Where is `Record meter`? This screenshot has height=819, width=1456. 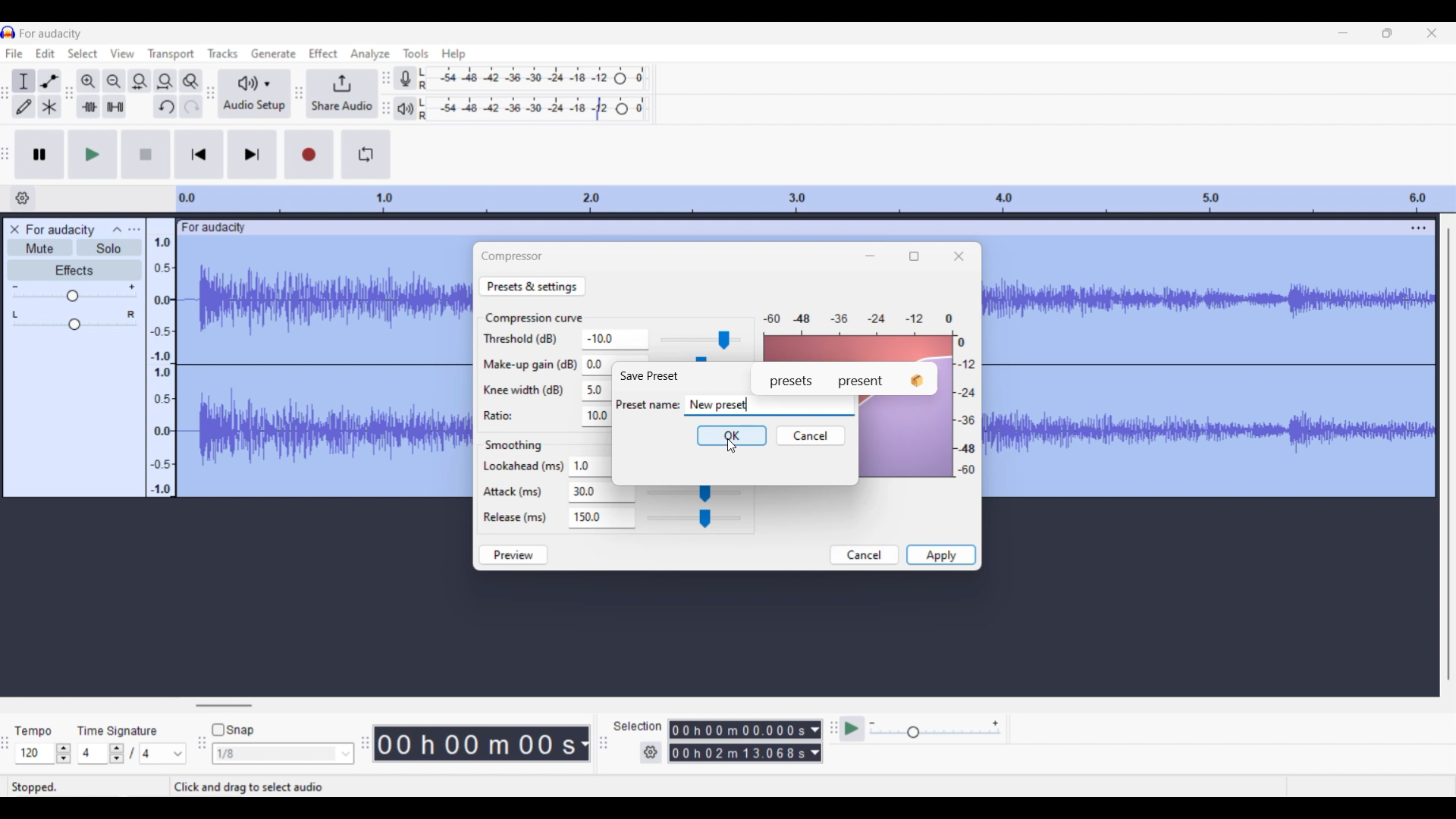
Record meter is located at coordinates (404, 78).